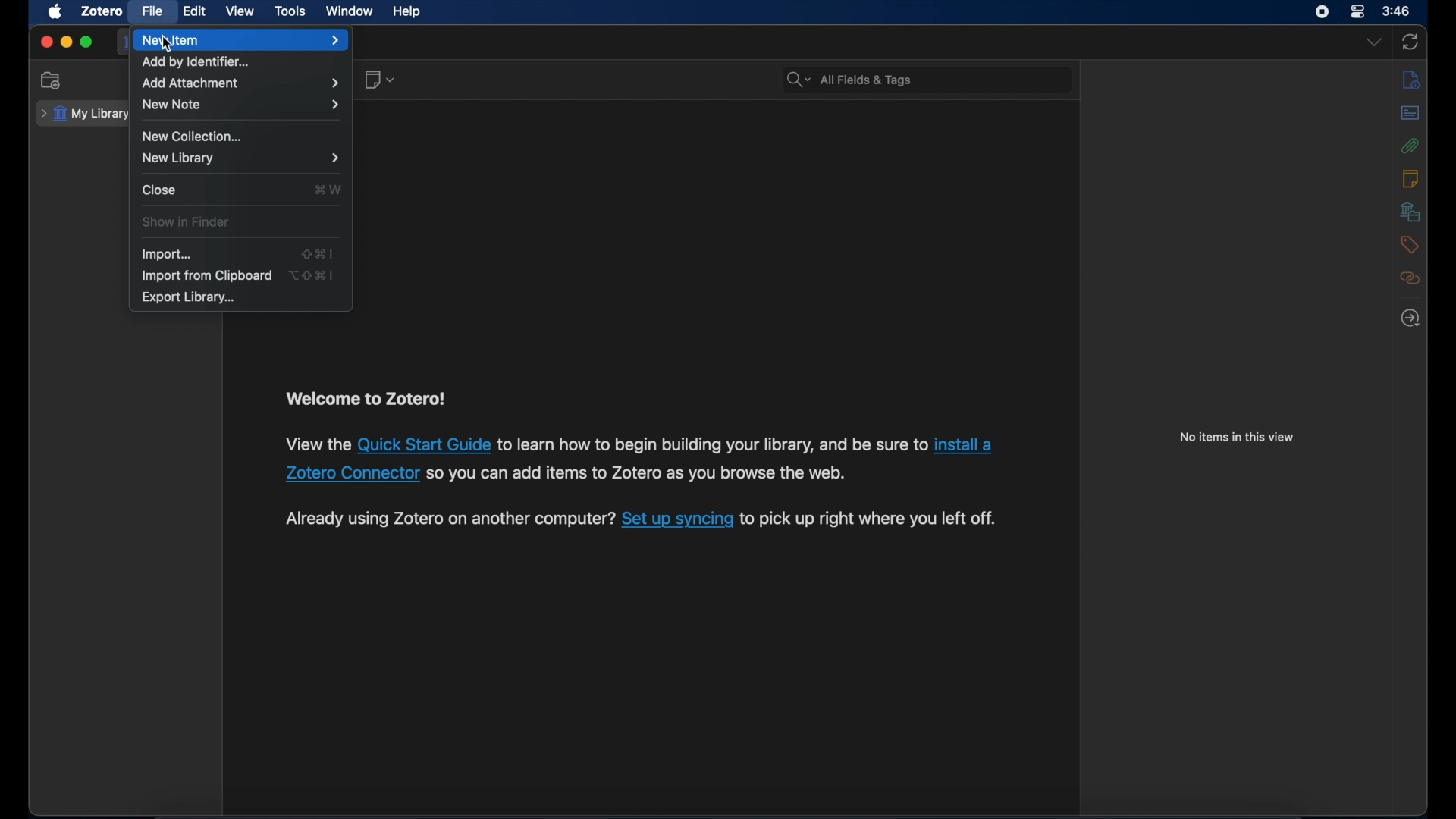 The width and height of the screenshot is (1456, 819). Describe the element at coordinates (366, 399) in the screenshot. I see `welcome to zotero` at that location.